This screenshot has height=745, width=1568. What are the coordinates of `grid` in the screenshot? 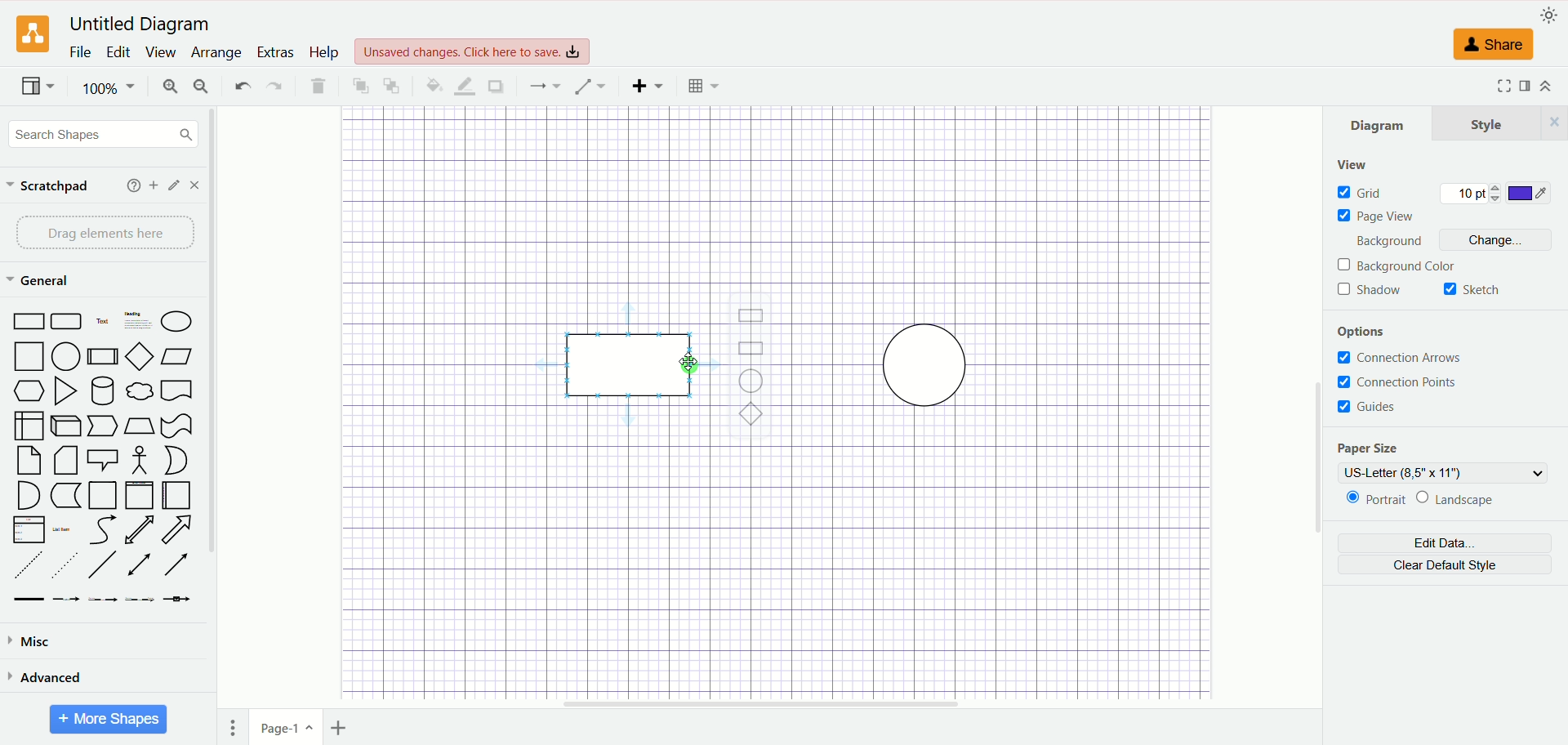 It's located at (1368, 191).